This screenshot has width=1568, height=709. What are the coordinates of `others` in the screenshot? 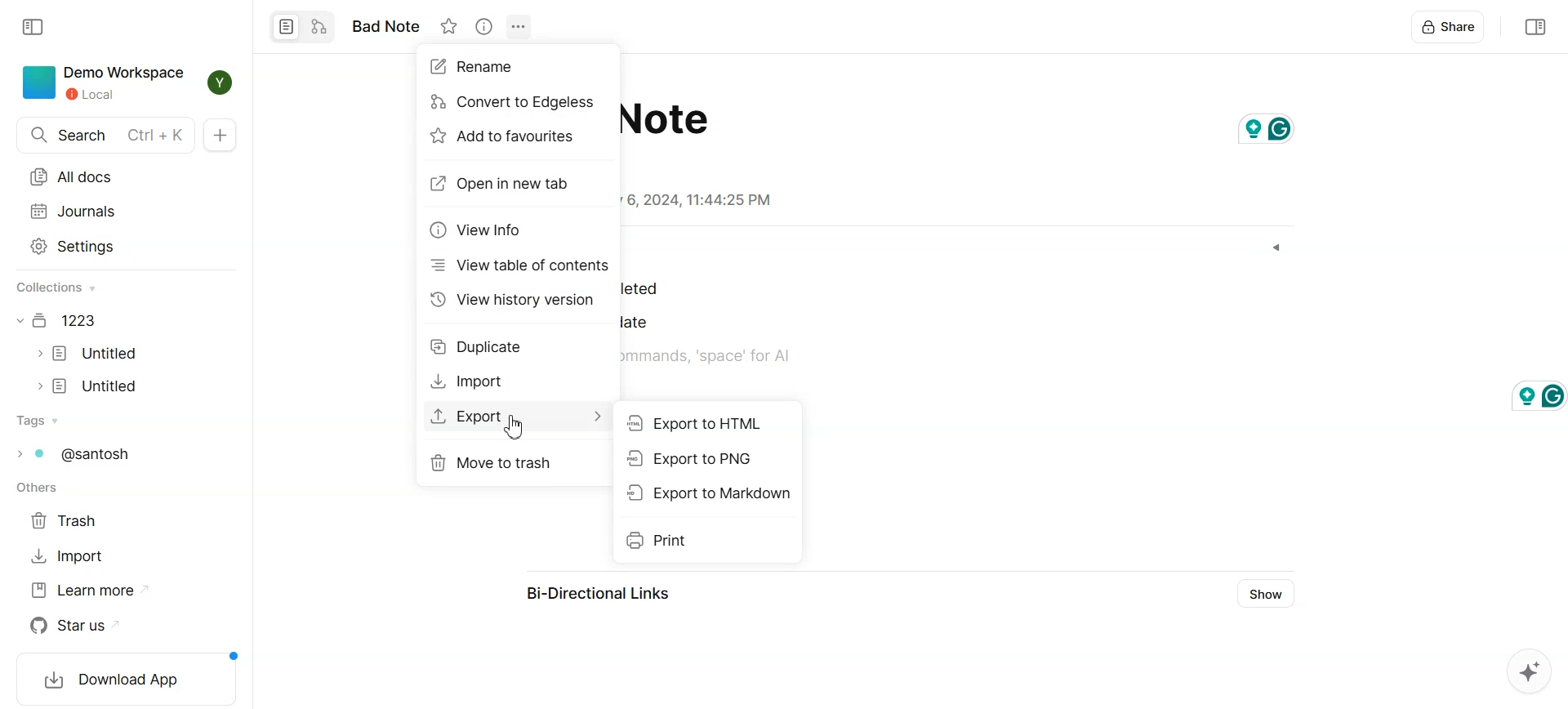 It's located at (38, 488).